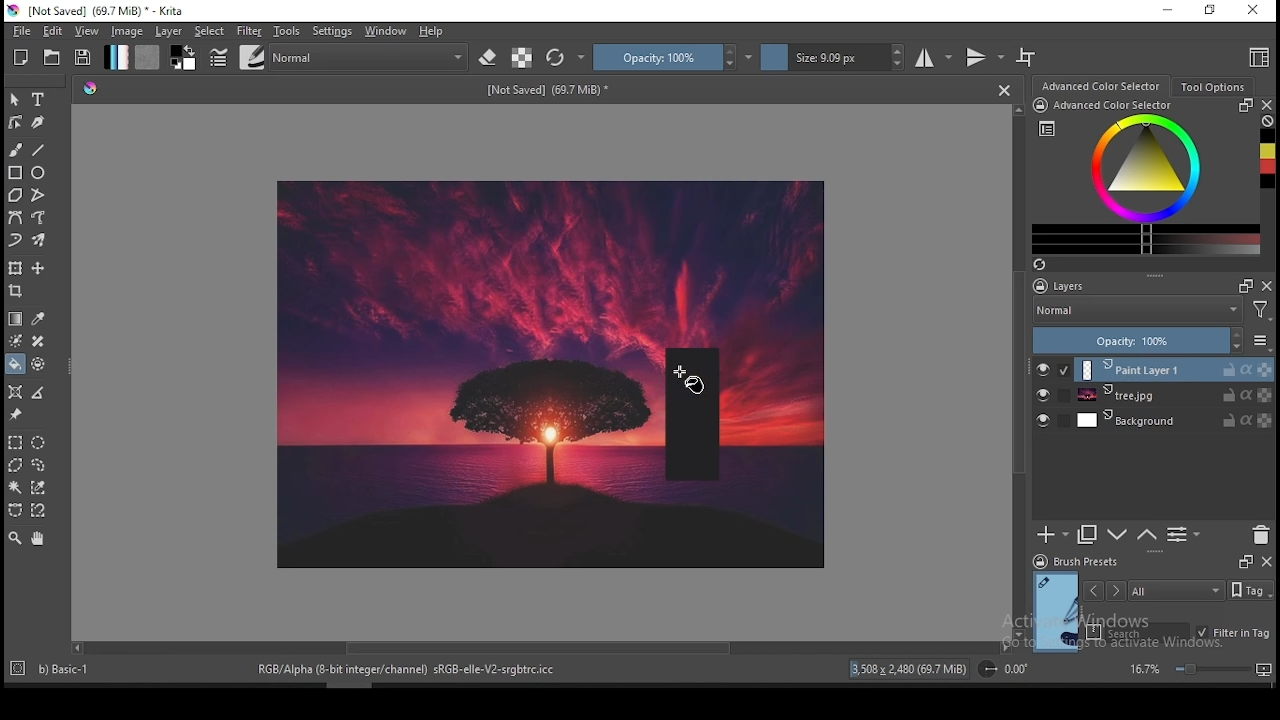 Image resolution: width=1280 pixels, height=720 pixels. I want to click on measure distance between two points, so click(40, 393).